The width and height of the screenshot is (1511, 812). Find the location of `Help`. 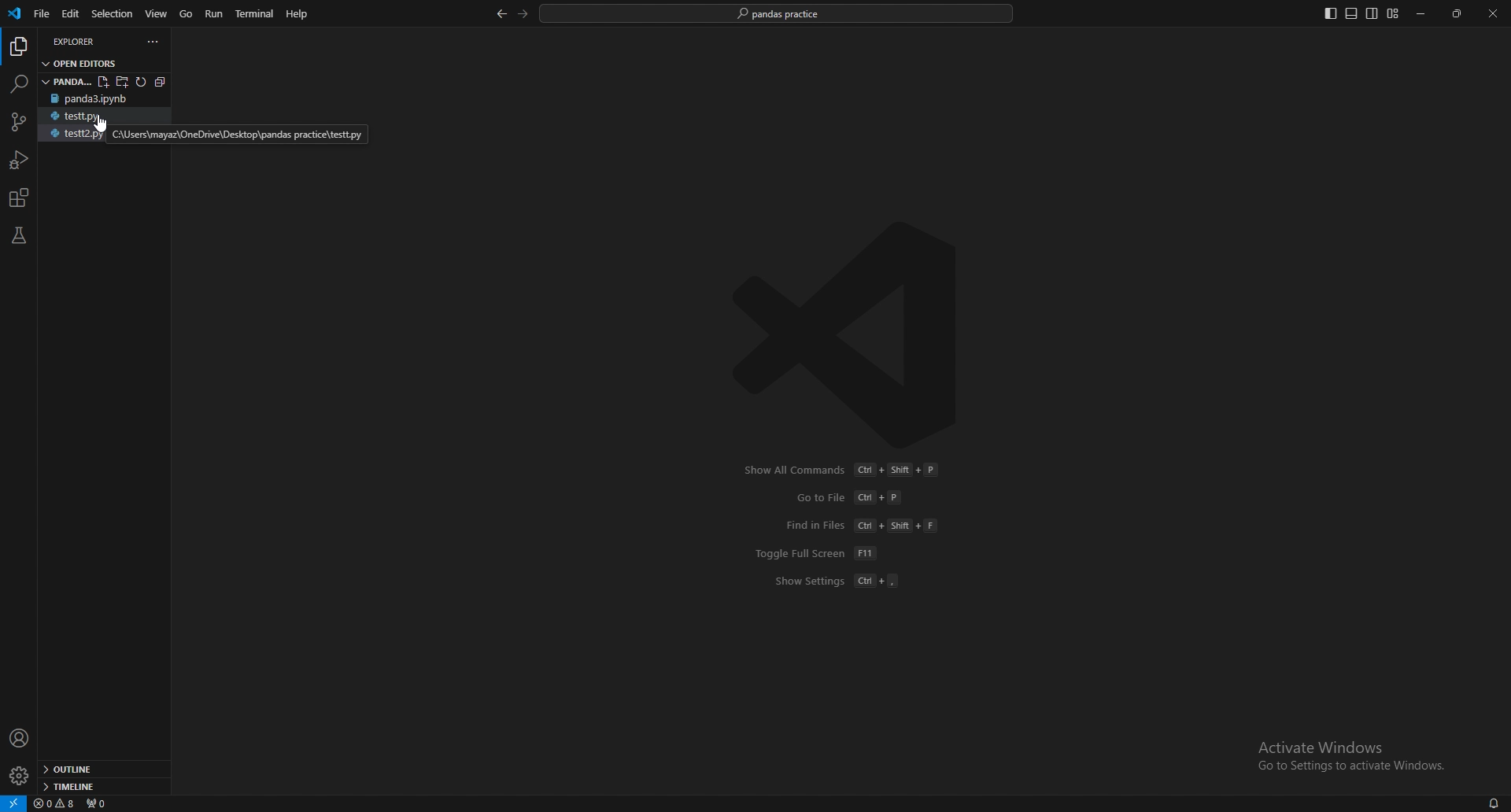

Help is located at coordinates (296, 14).